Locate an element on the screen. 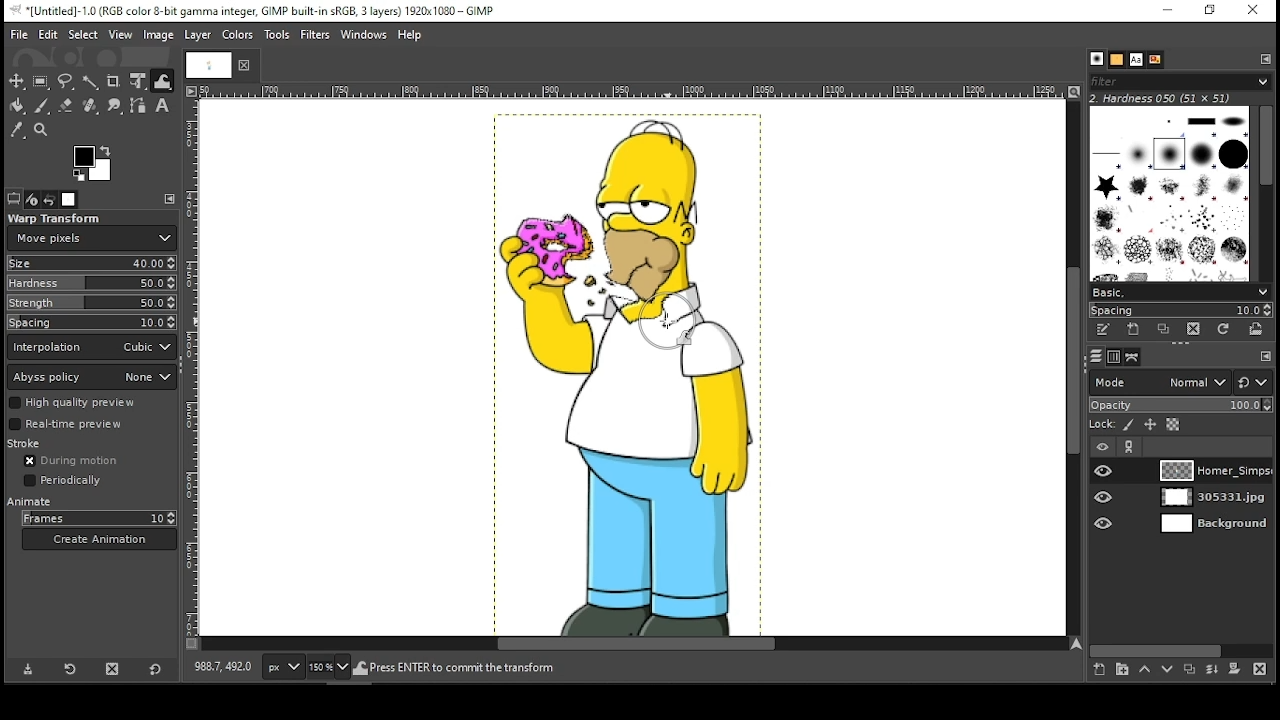 This screenshot has width=1280, height=720. color picker tool is located at coordinates (16, 132).